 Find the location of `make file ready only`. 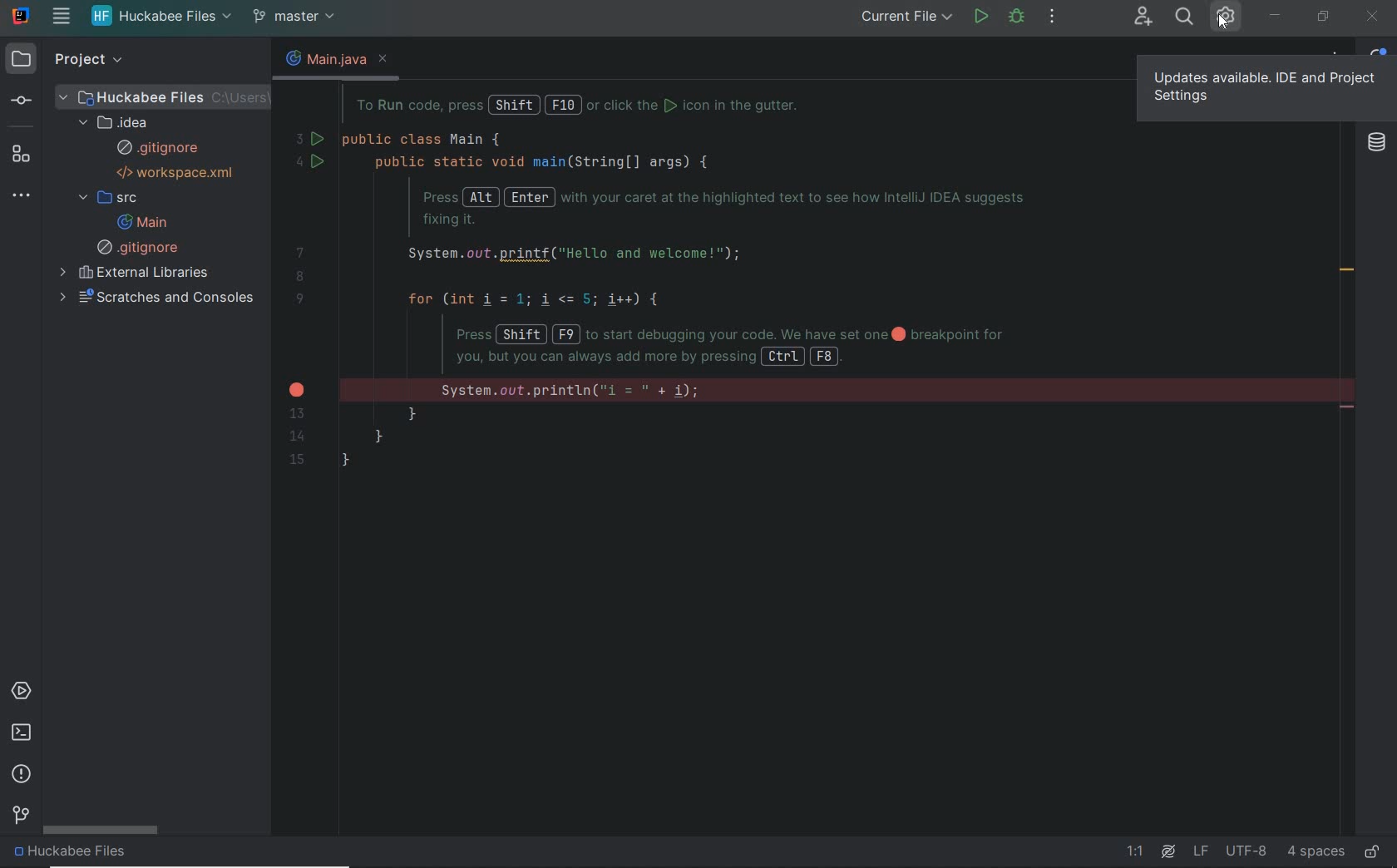

make file ready only is located at coordinates (1373, 852).